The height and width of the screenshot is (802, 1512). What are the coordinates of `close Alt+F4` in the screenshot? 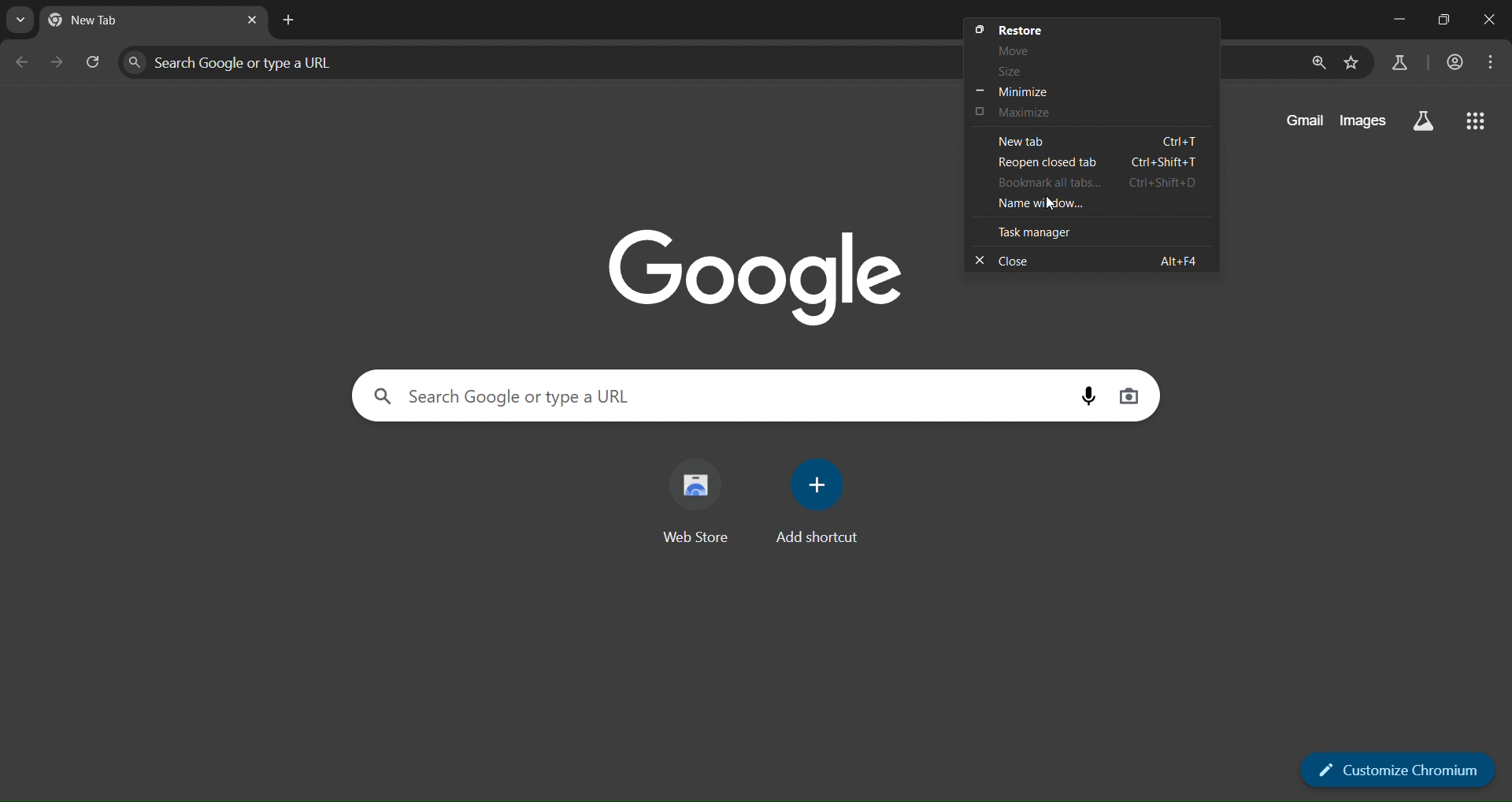 It's located at (1082, 259).